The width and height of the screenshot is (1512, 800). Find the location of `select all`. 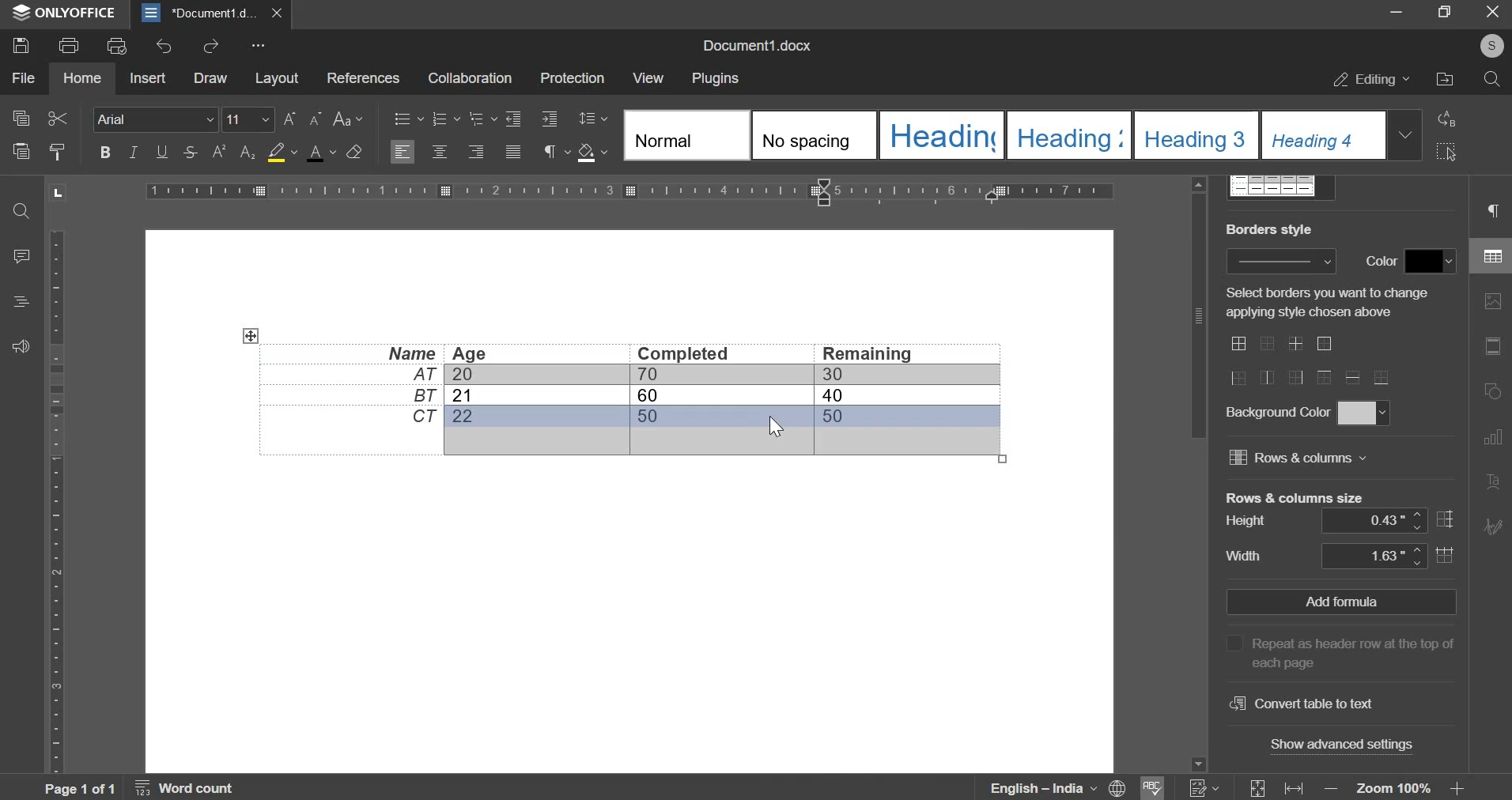

select all is located at coordinates (1448, 153).